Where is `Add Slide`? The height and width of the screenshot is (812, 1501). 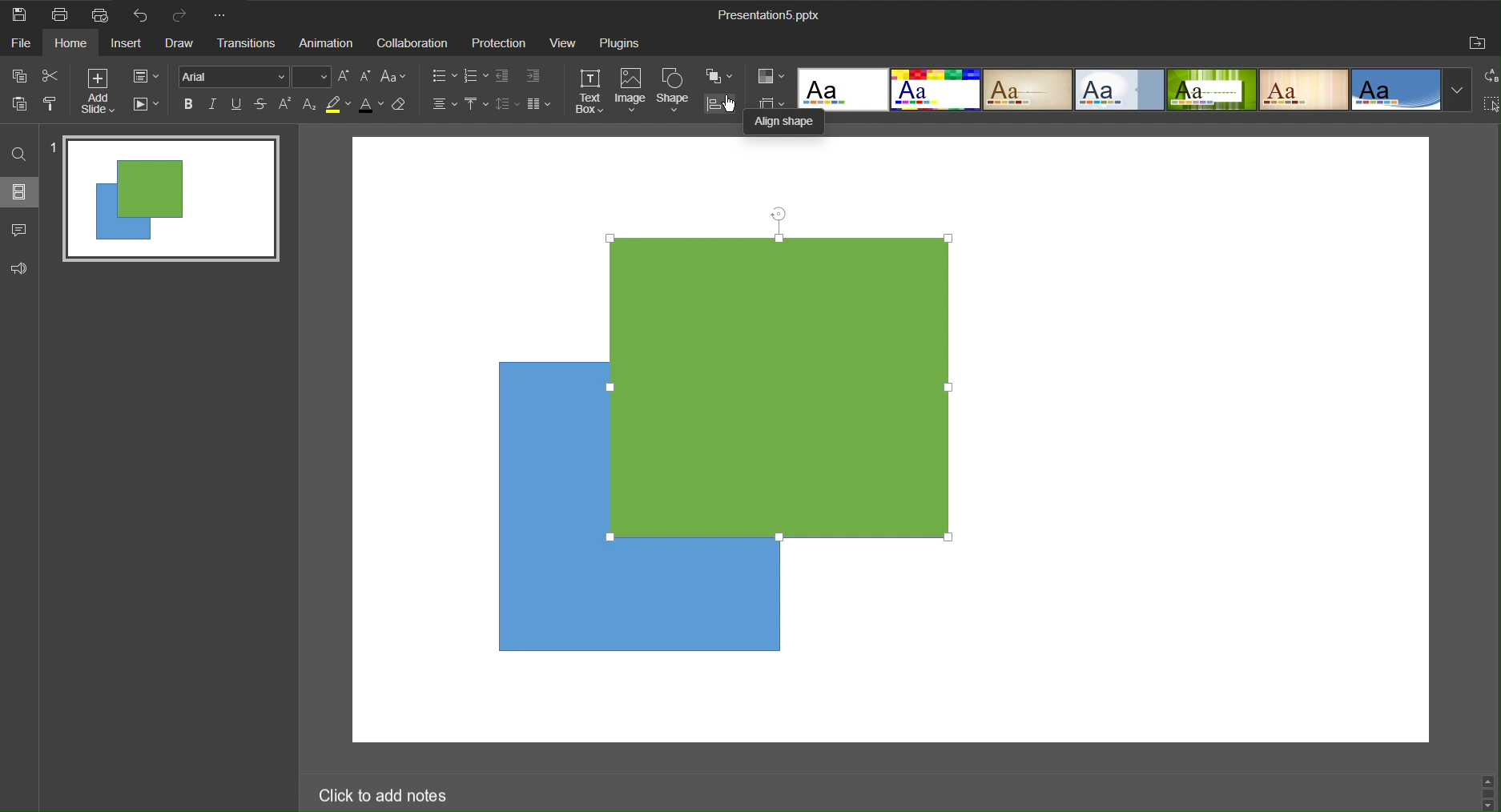
Add Slide is located at coordinates (98, 92).